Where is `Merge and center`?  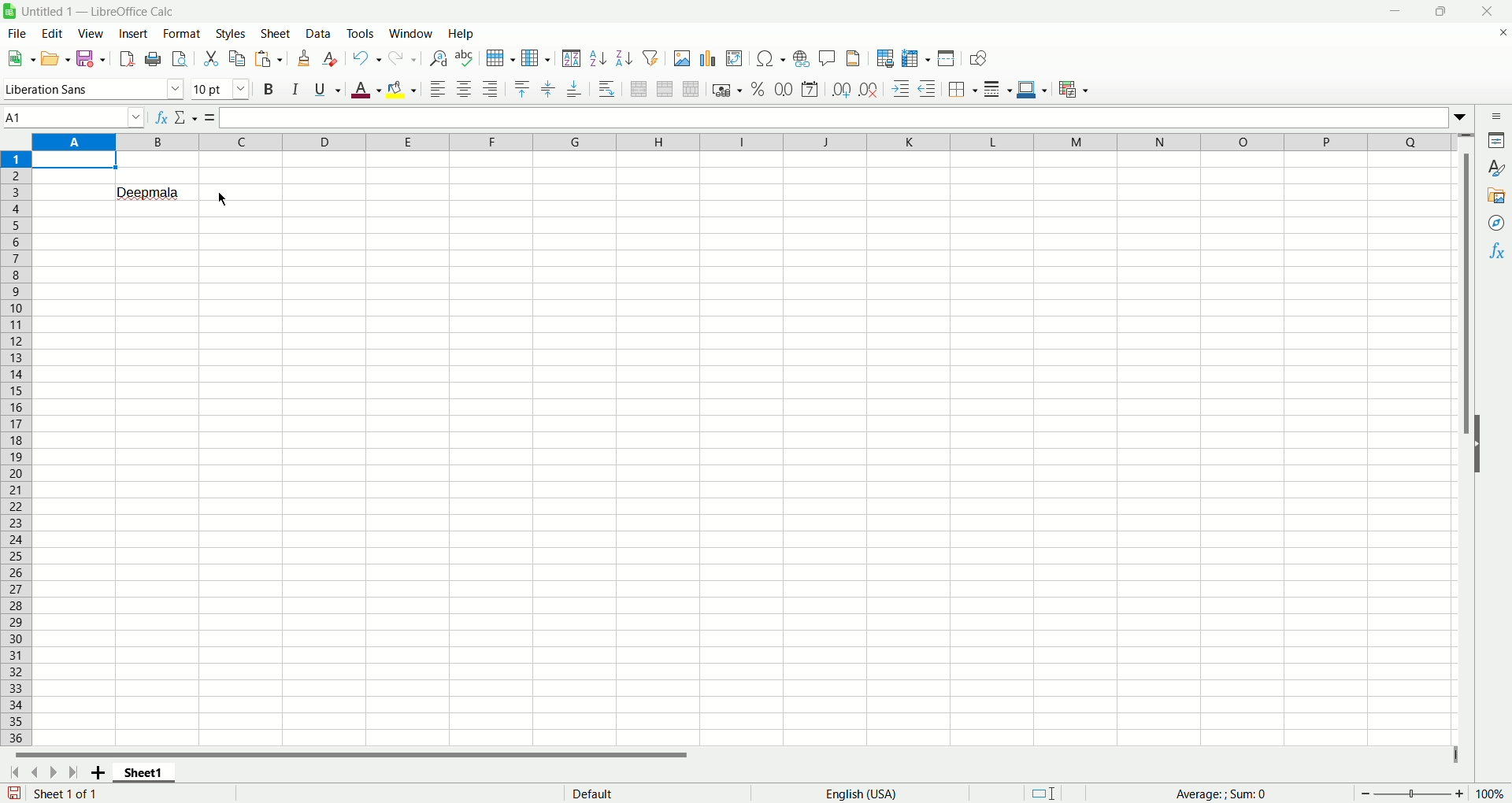
Merge and center is located at coordinates (639, 88).